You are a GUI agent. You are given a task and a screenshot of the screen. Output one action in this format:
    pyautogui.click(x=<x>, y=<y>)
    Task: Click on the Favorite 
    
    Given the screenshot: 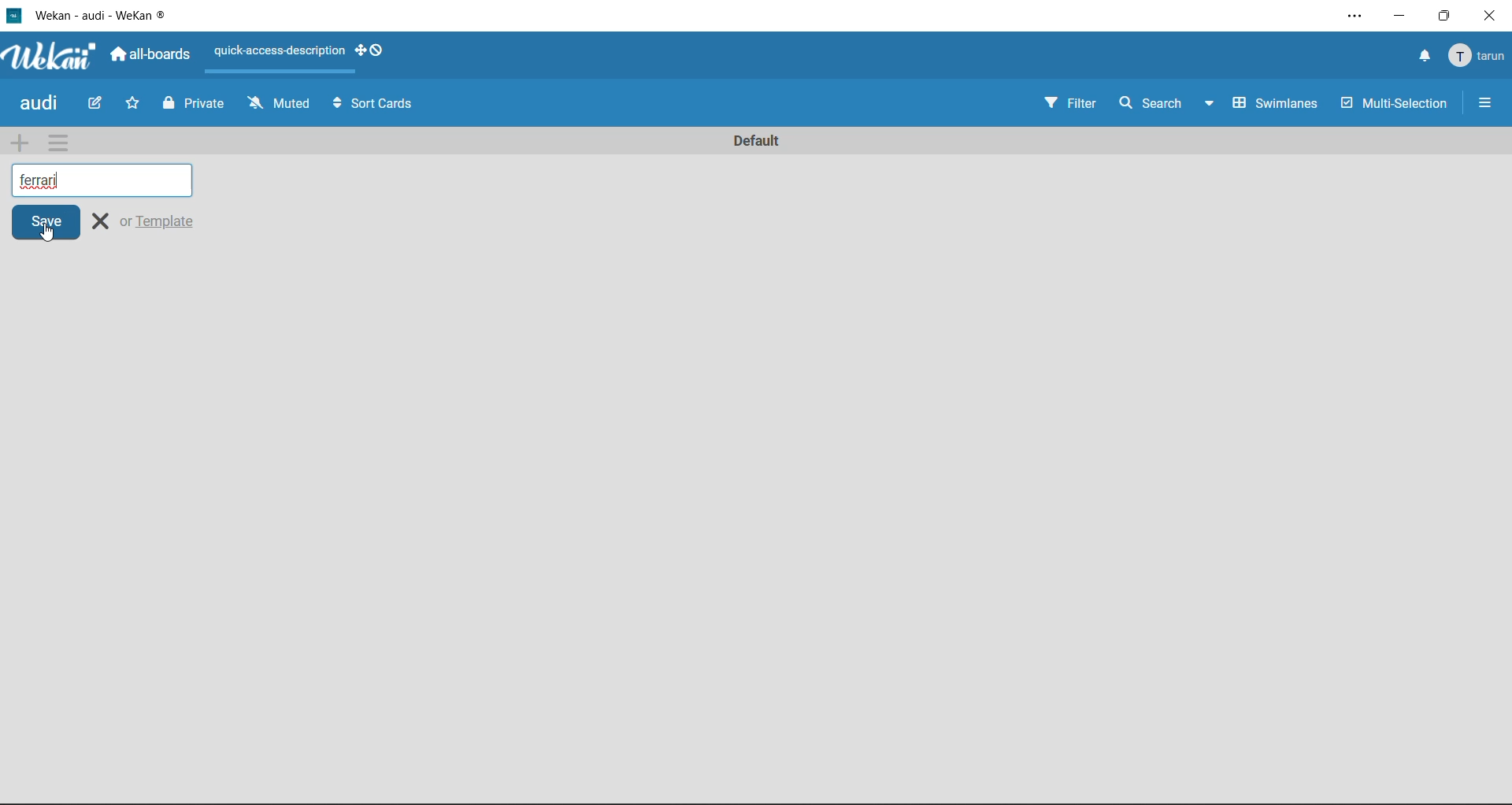 What is the action you would take?
    pyautogui.click(x=135, y=106)
    